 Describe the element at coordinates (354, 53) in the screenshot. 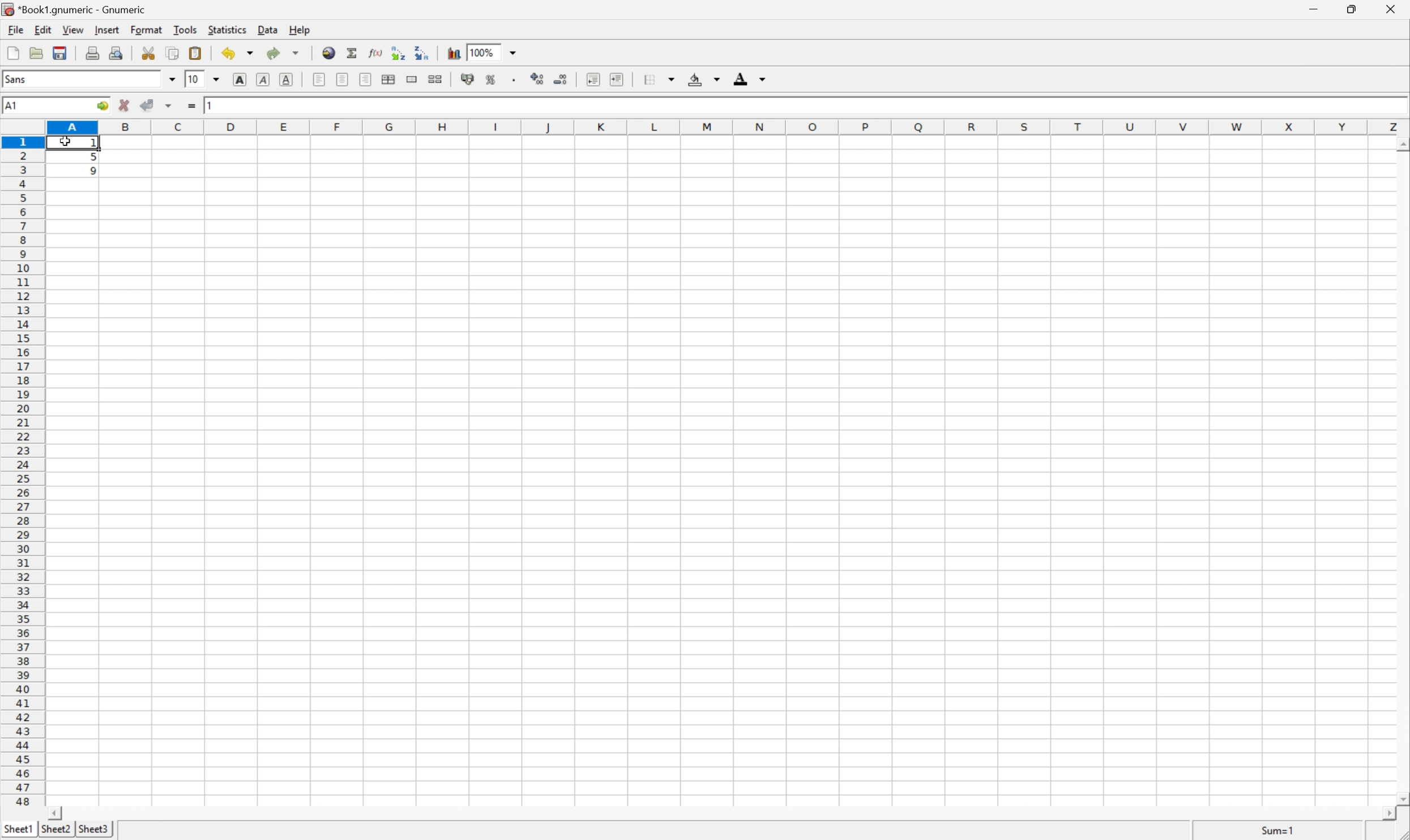

I see `sum in current cell` at that location.